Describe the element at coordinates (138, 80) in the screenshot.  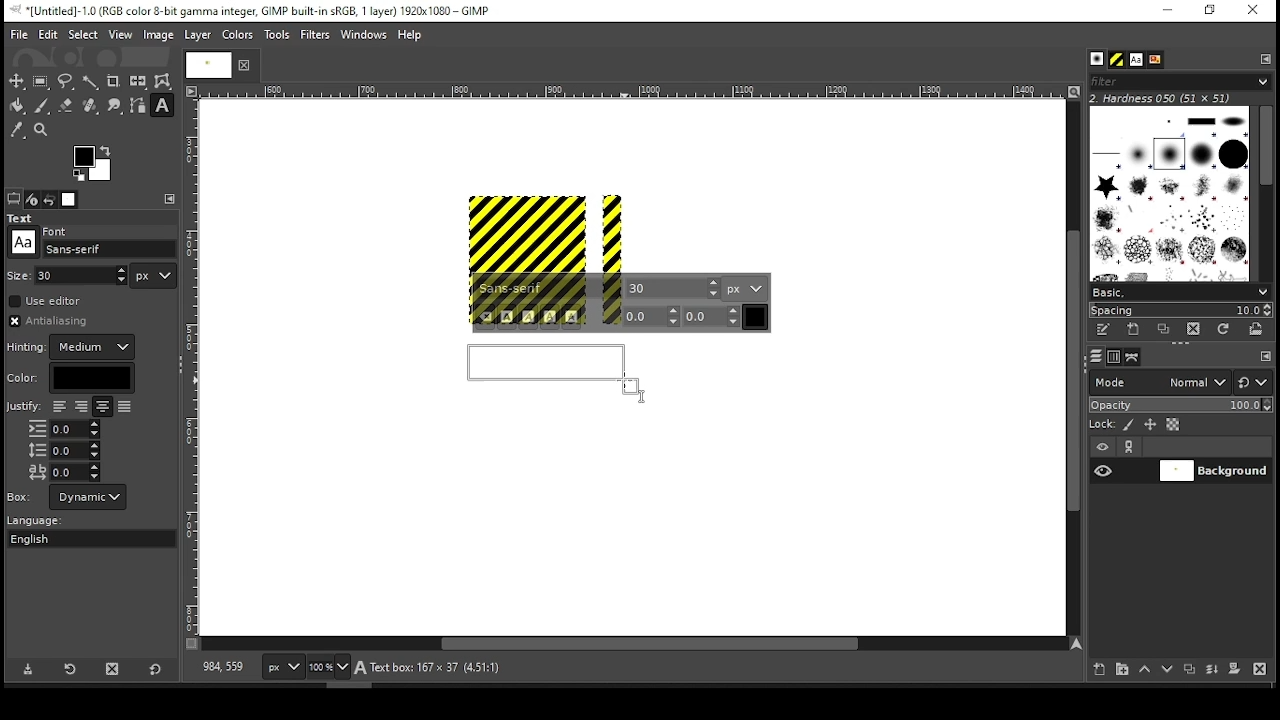
I see `flip tool` at that location.